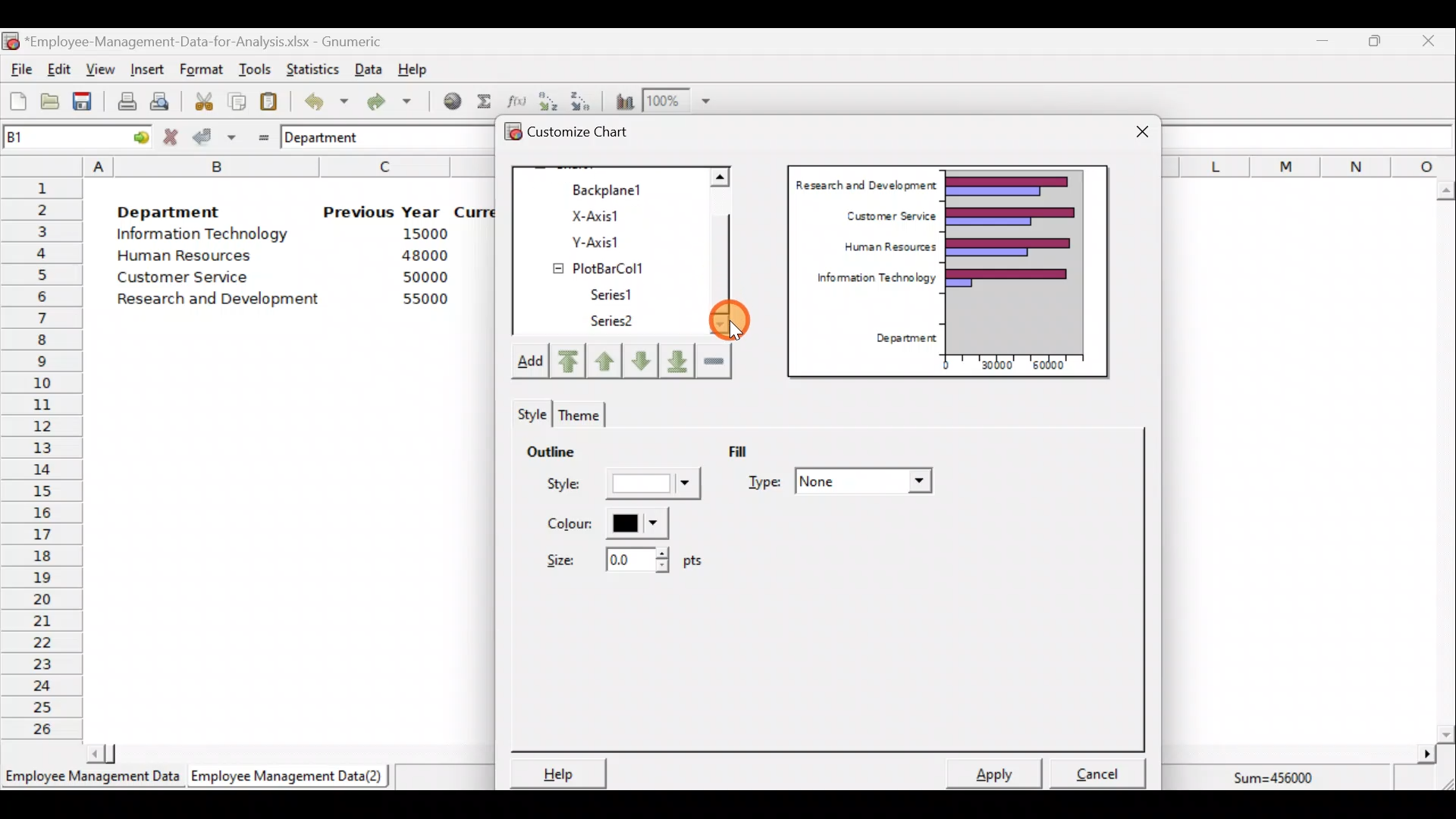 The width and height of the screenshot is (1456, 819). I want to click on Sum into the current cell, so click(482, 101).